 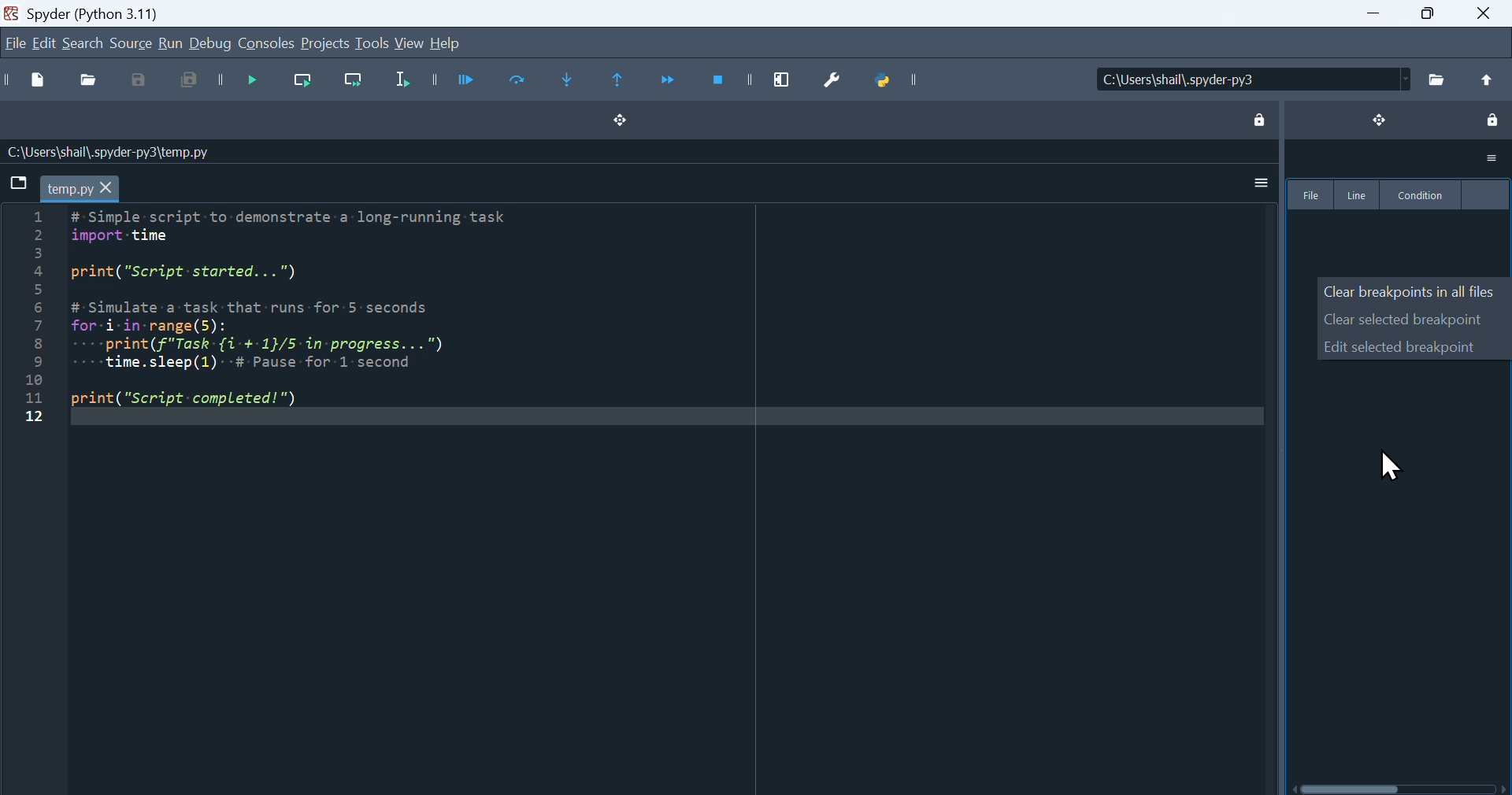 What do you see at coordinates (1362, 18) in the screenshot?
I see `minimize` at bounding box center [1362, 18].